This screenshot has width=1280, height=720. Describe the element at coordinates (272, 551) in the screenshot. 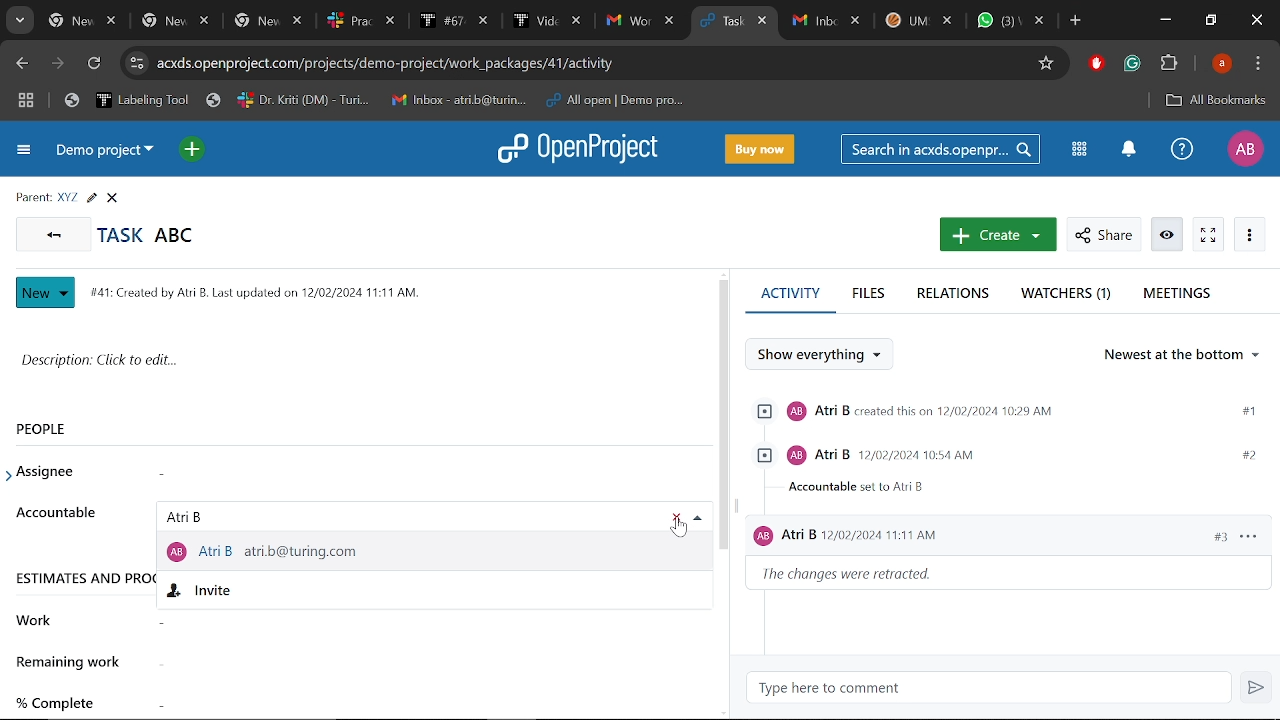

I see `Atri B  atrib@turing.com` at that location.